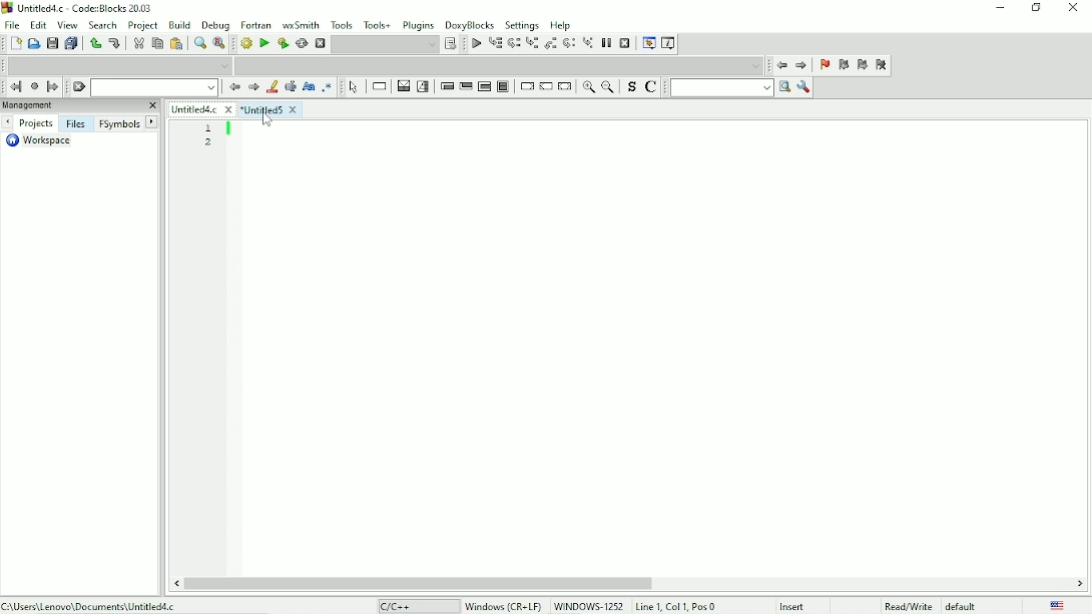 This screenshot has width=1092, height=614. I want to click on Continue-instruction, so click(546, 87).